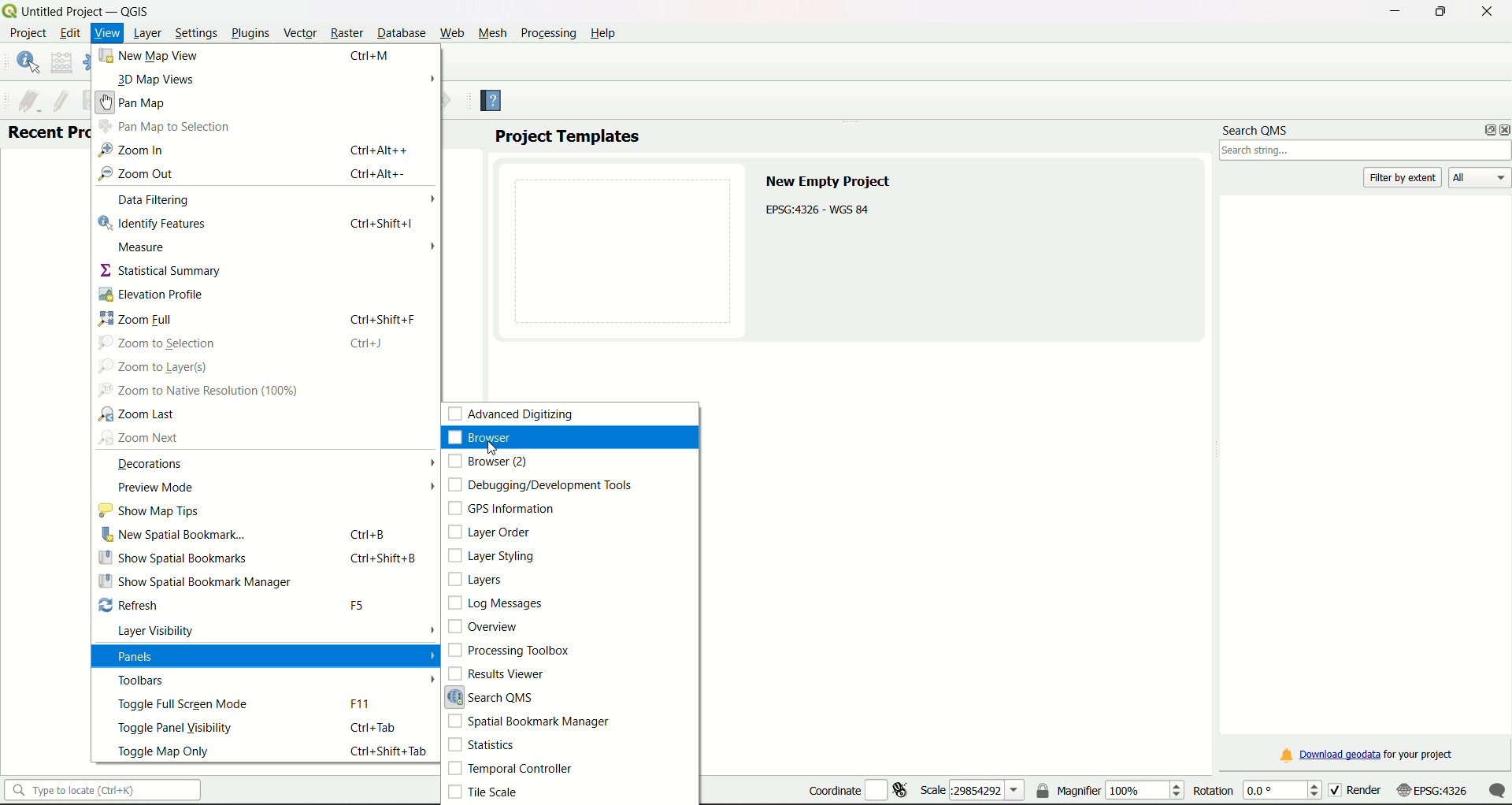  I want to click on identify features, so click(154, 224).